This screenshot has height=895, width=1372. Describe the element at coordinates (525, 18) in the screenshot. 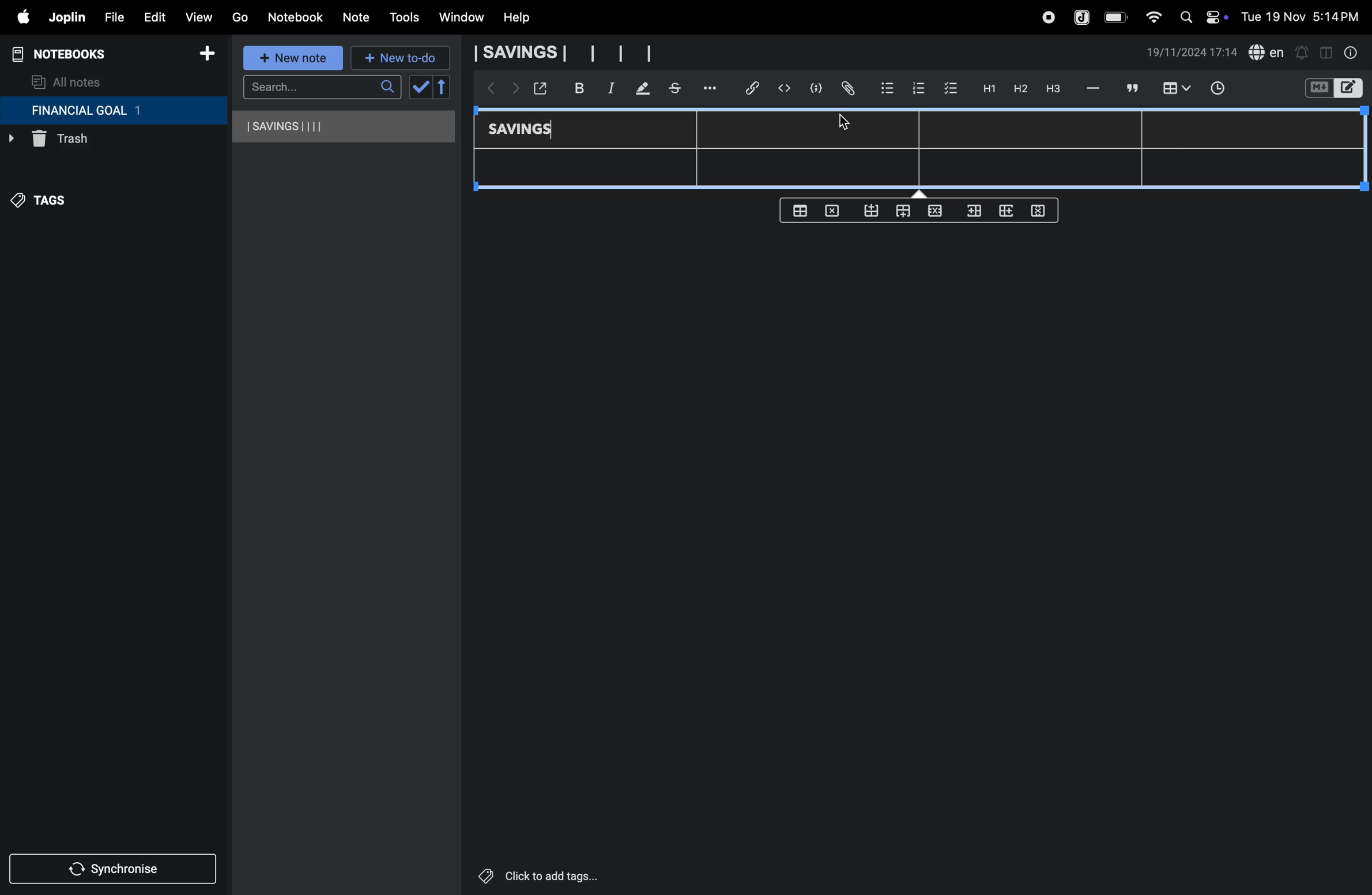

I see `help` at that location.